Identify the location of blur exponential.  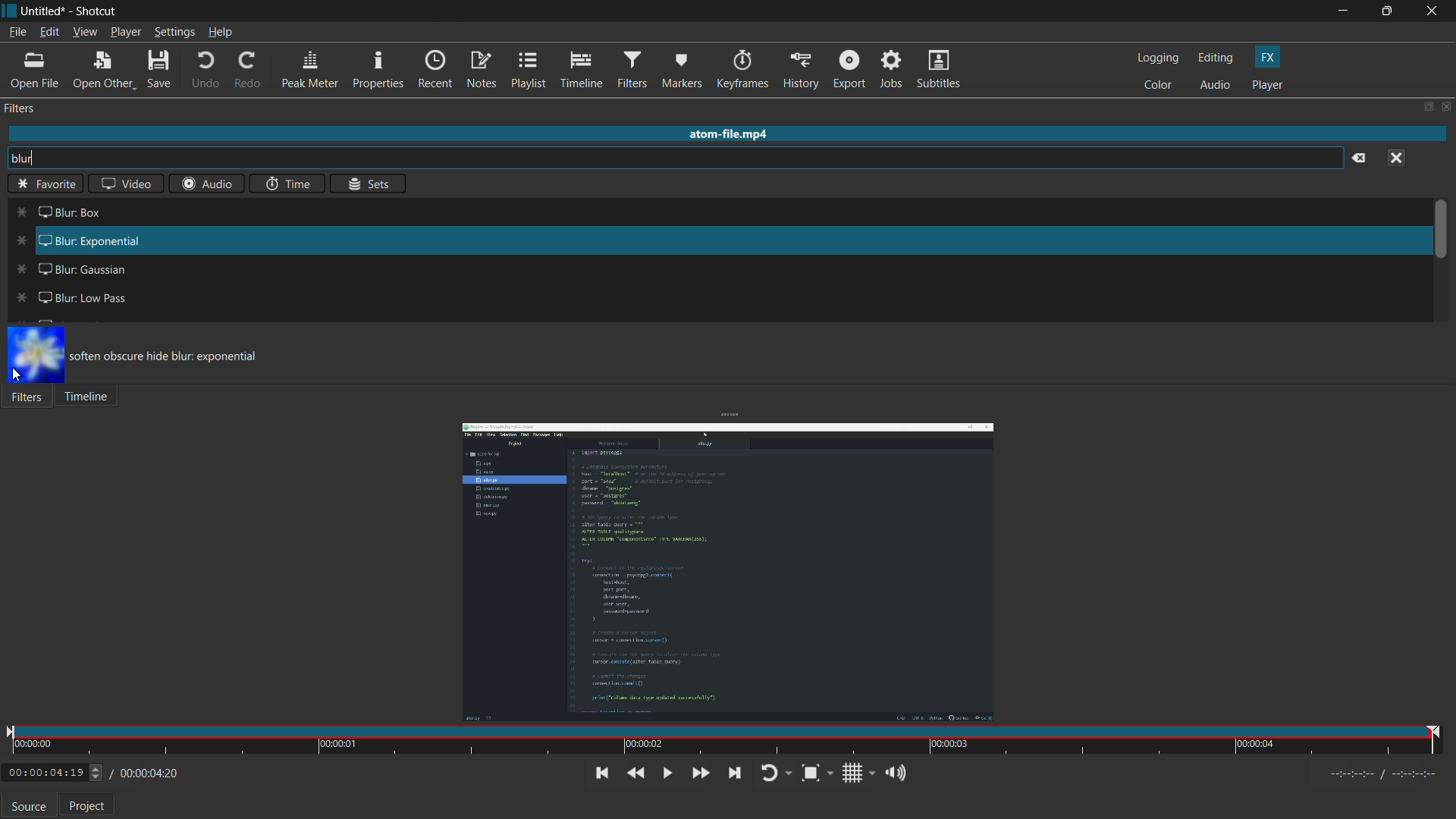
(80, 242).